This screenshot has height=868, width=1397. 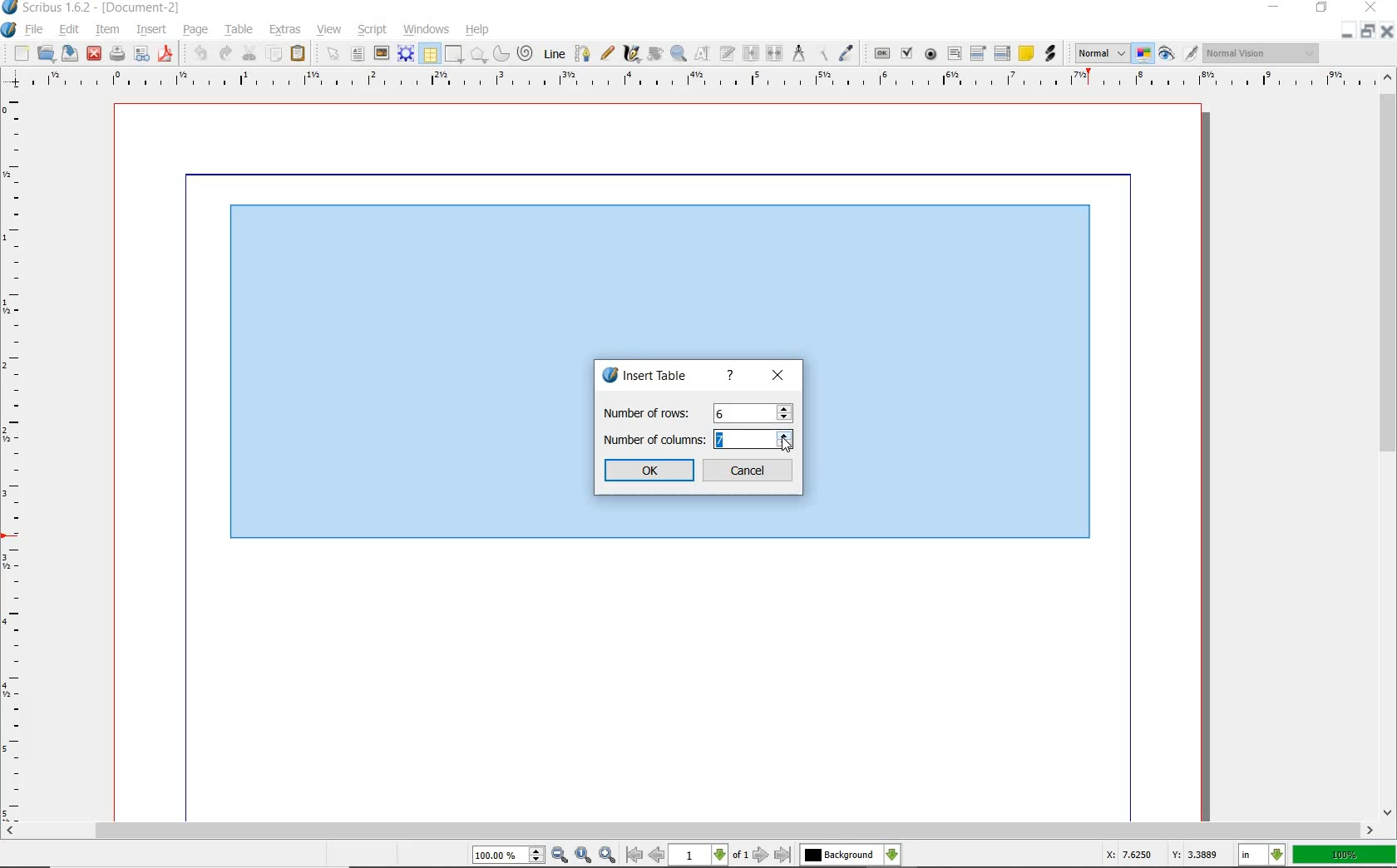 What do you see at coordinates (249, 52) in the screenshot?
I see `cut` at bounding box center [249, 52].